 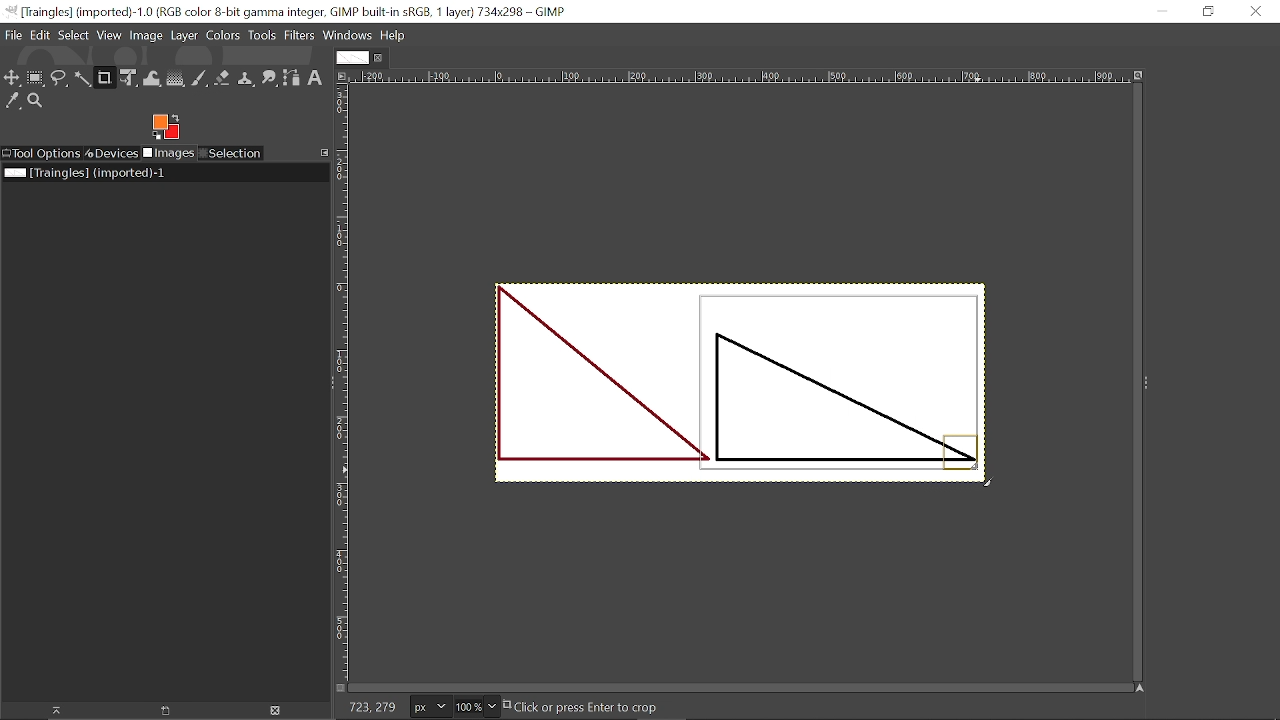 What do you see at coordinates (85, 173) in the screenshot?
I see `Current file name` at bounding box center [85, 173].